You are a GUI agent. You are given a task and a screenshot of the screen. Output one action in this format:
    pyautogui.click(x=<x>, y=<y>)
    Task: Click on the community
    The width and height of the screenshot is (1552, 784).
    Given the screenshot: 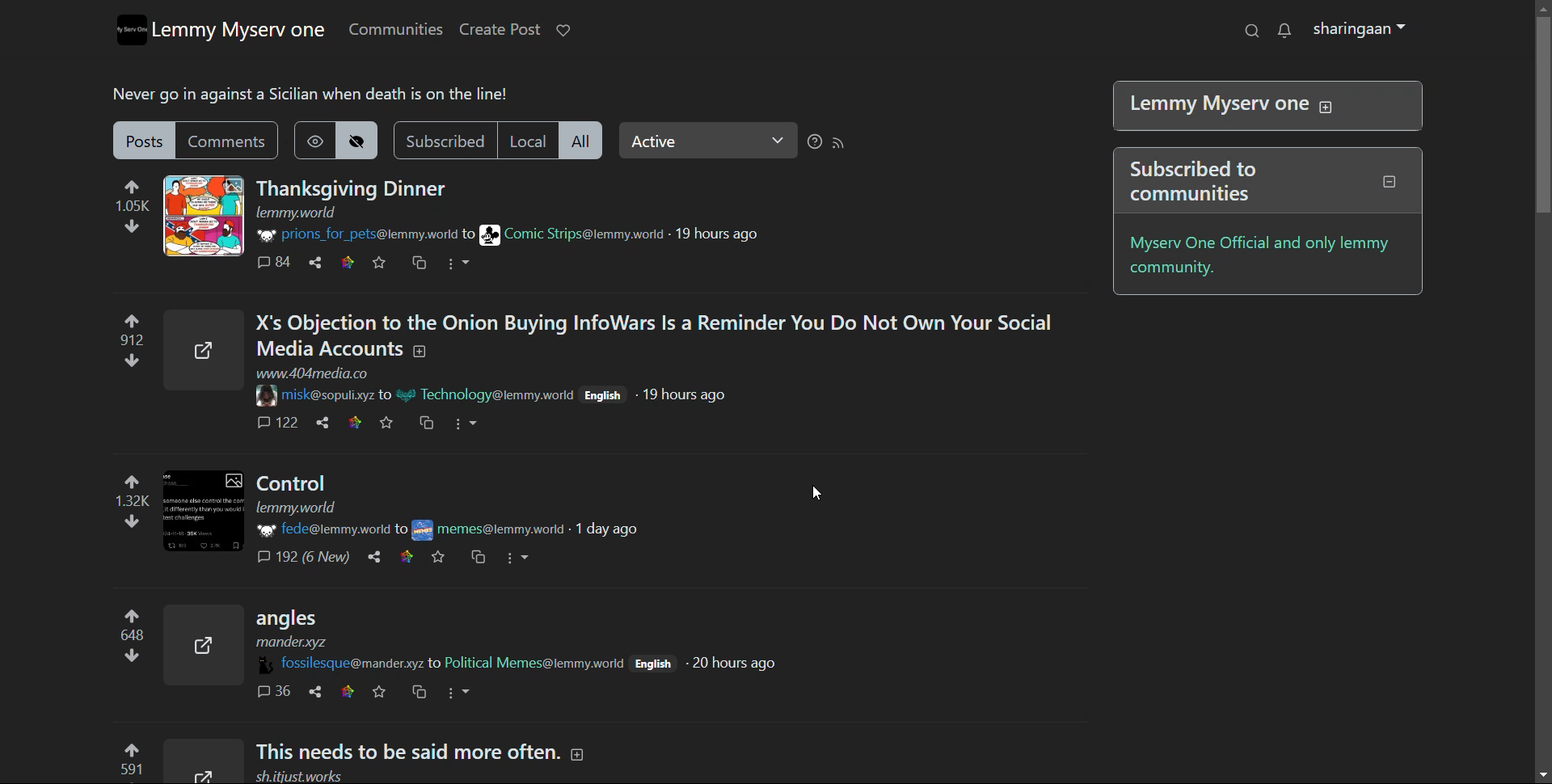 What is the action you would take?
    pyautogui.click(x=570, y=234)
    